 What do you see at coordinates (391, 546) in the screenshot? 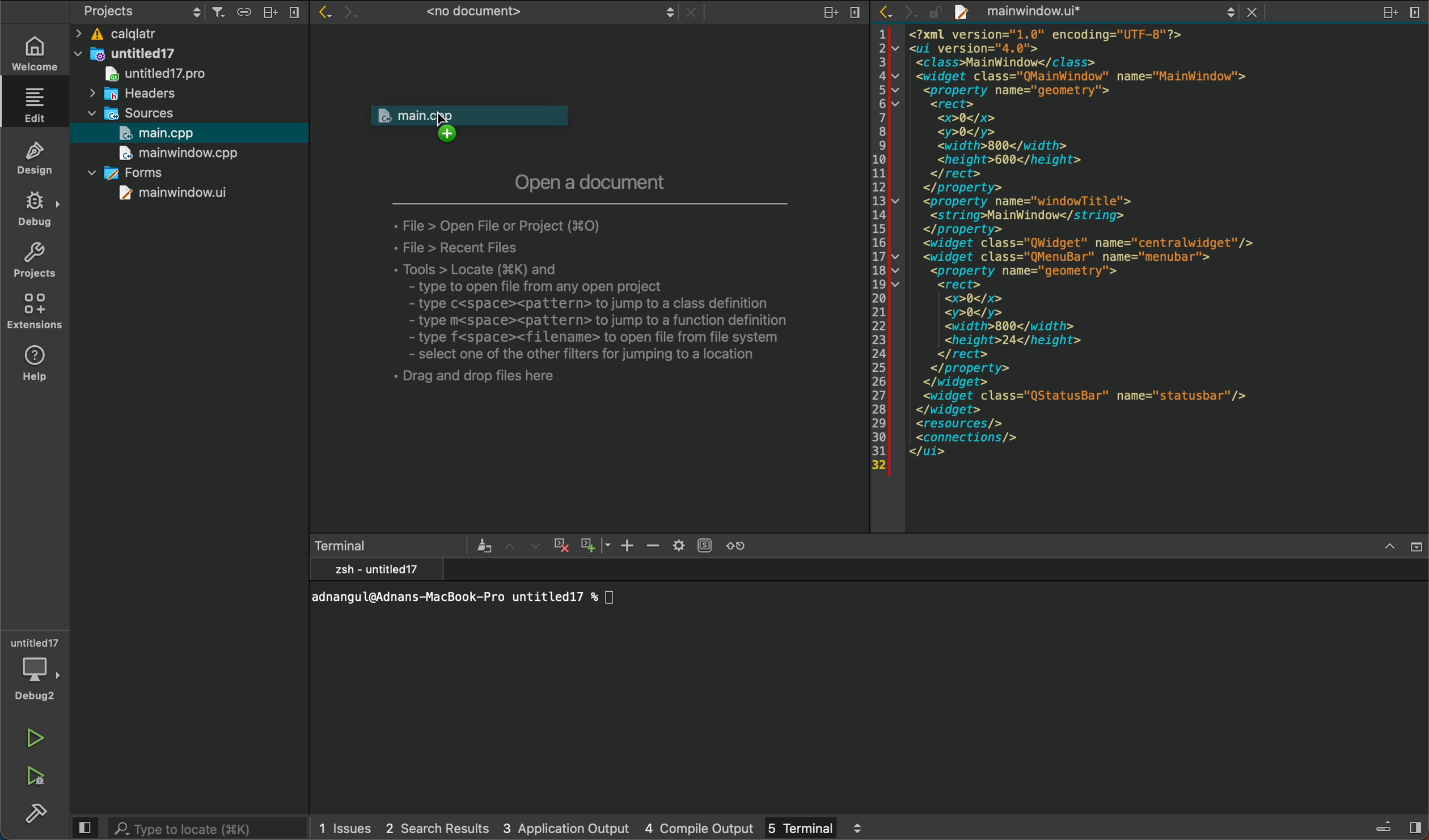
I see `terminal` at bounding box center [391, 546].